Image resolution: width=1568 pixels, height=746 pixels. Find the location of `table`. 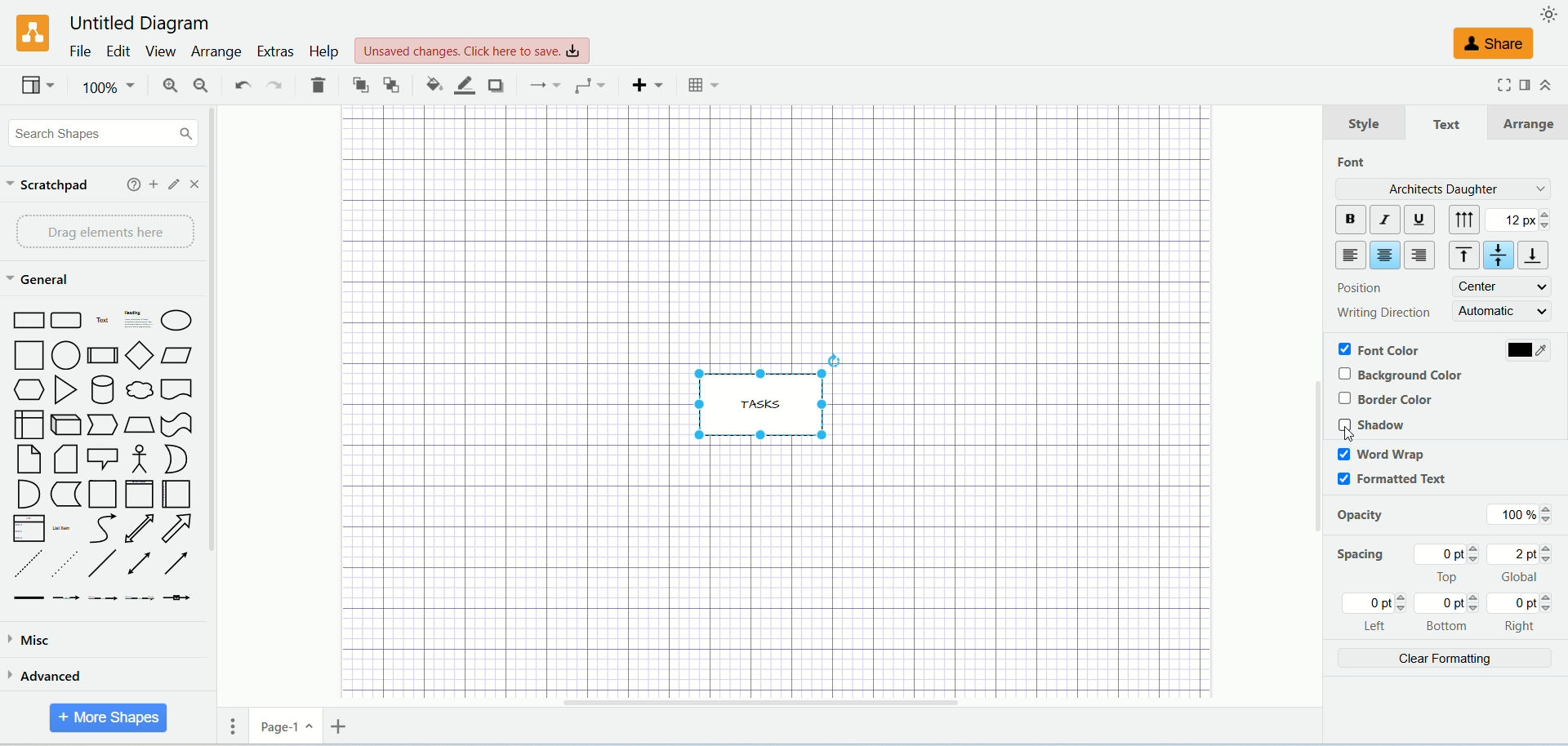

table is located at coordinates (706, 85).